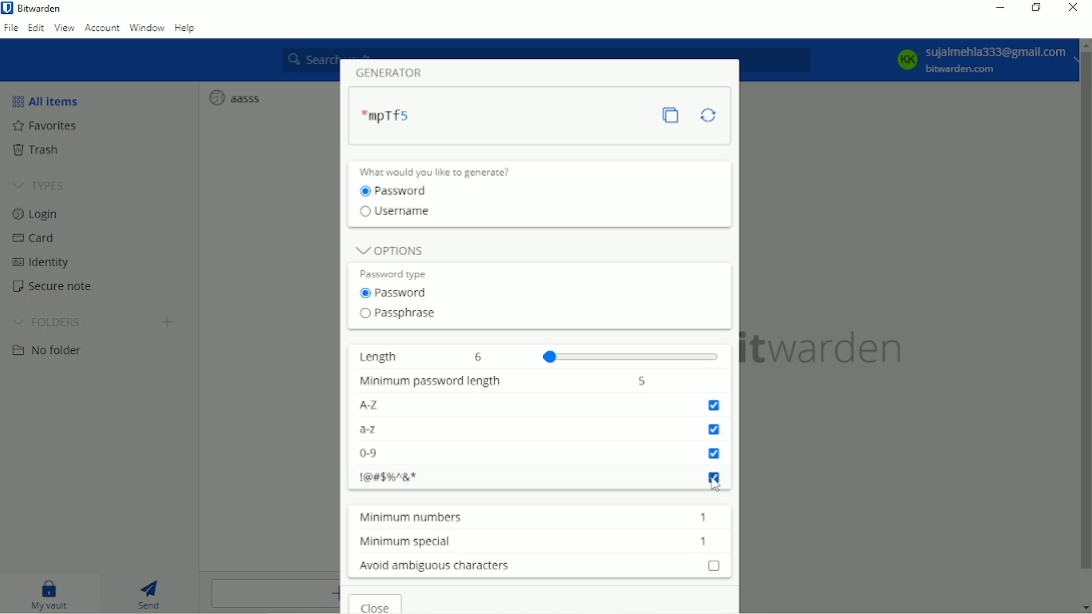 This screenshot has height=614, width=1092. What do you see at coordinates (47, 320) in the screenshot?
I see `Folders` at bounding box center [47, 320].